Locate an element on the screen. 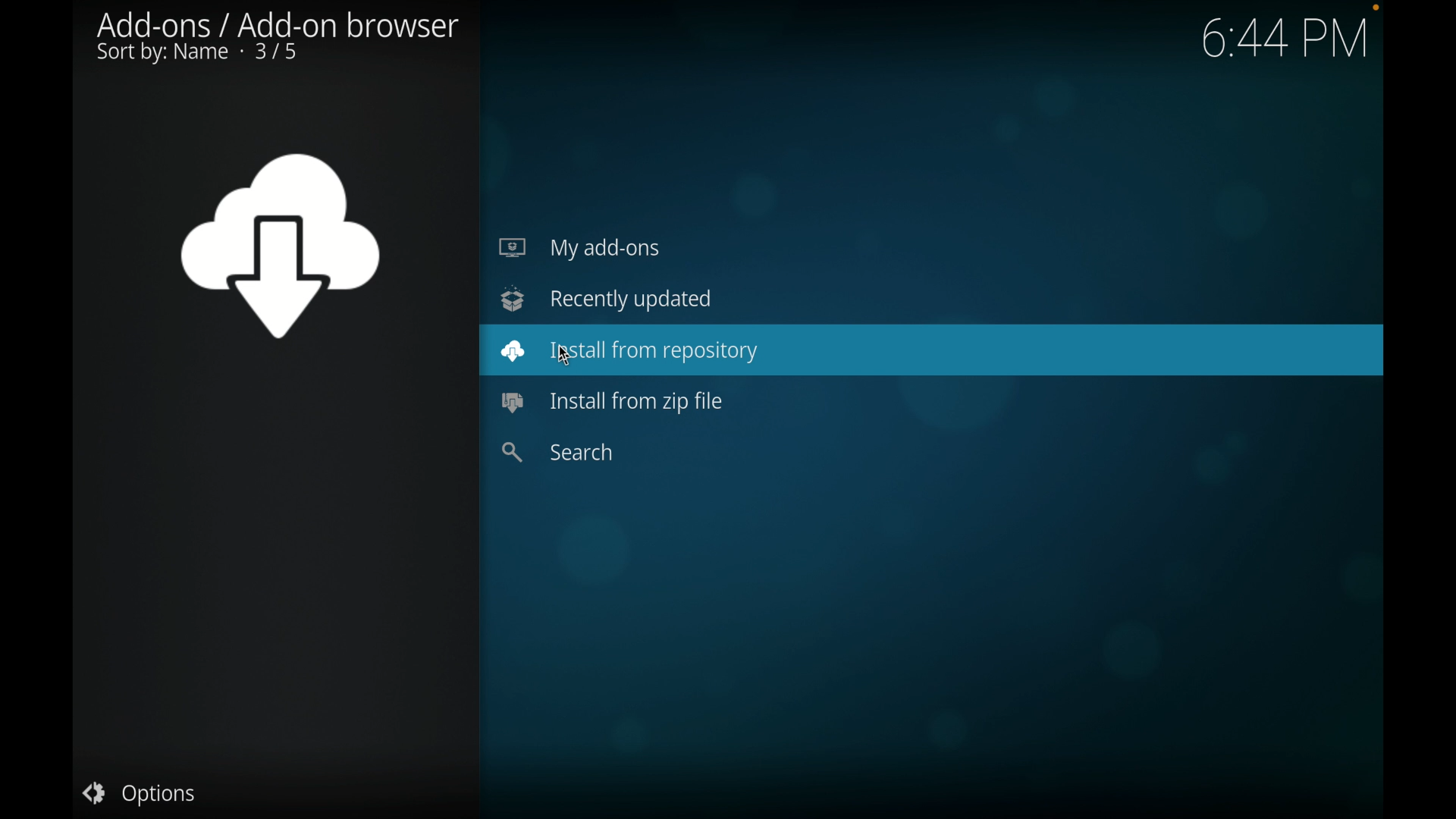 The width and height of the screenshot is (1456, 819). install from repository is located at coordinates (628, 352).